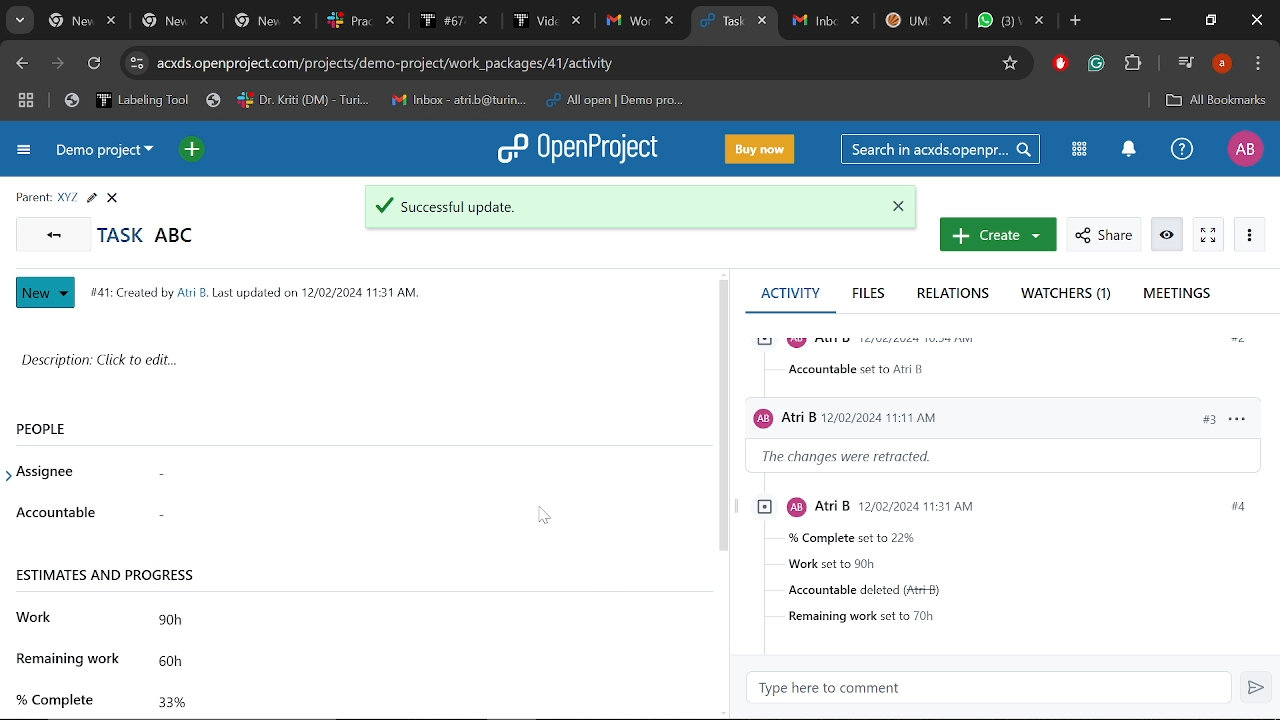  I want to click on Control and customize chrome, so click(1258, 64).